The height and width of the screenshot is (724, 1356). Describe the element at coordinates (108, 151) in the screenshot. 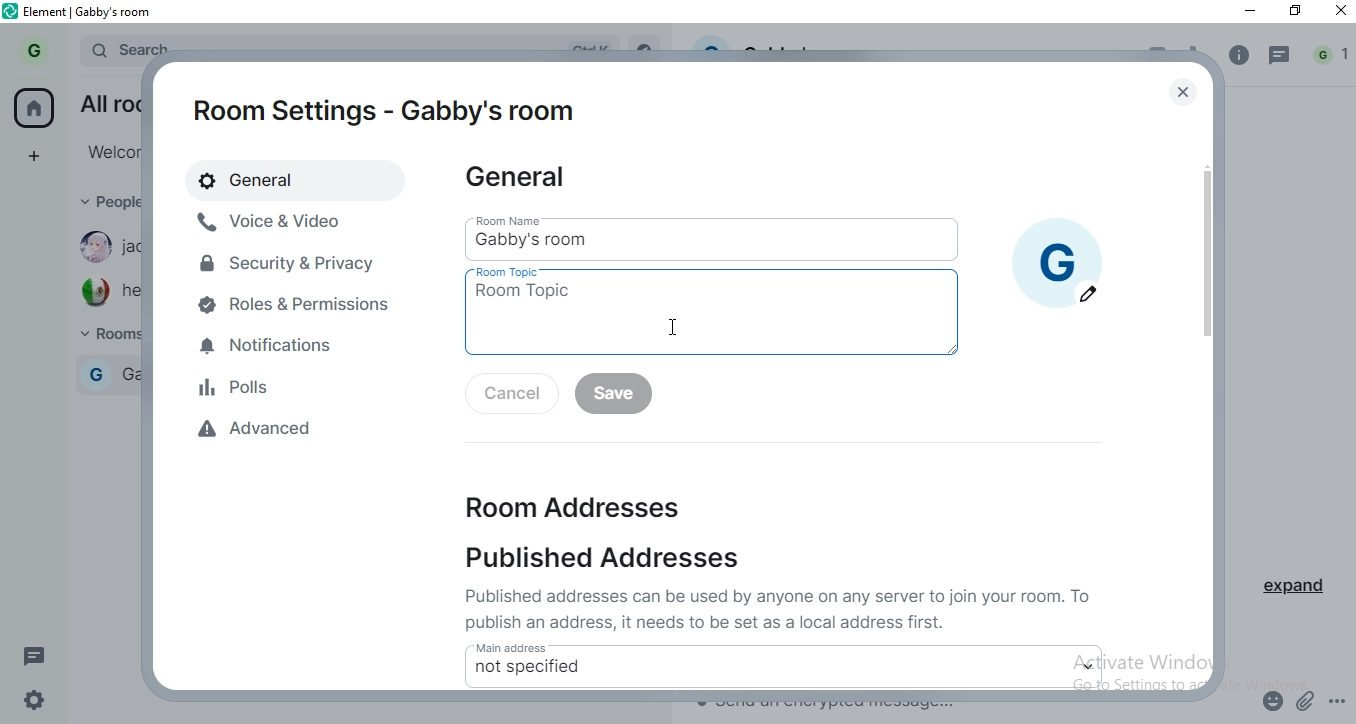

I see `welcome` at that location.